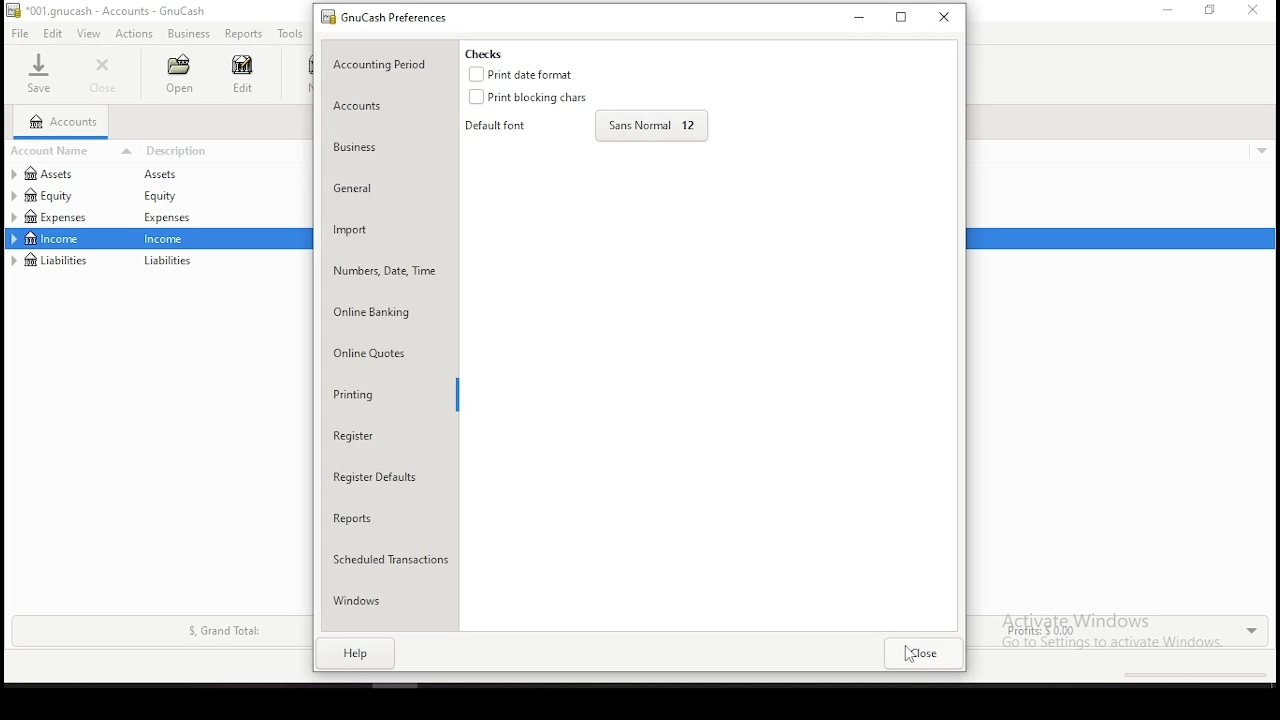 The width and height of the screenshot is (1280, 720). I want to click on checkbox: print date format, so click(528, 73).